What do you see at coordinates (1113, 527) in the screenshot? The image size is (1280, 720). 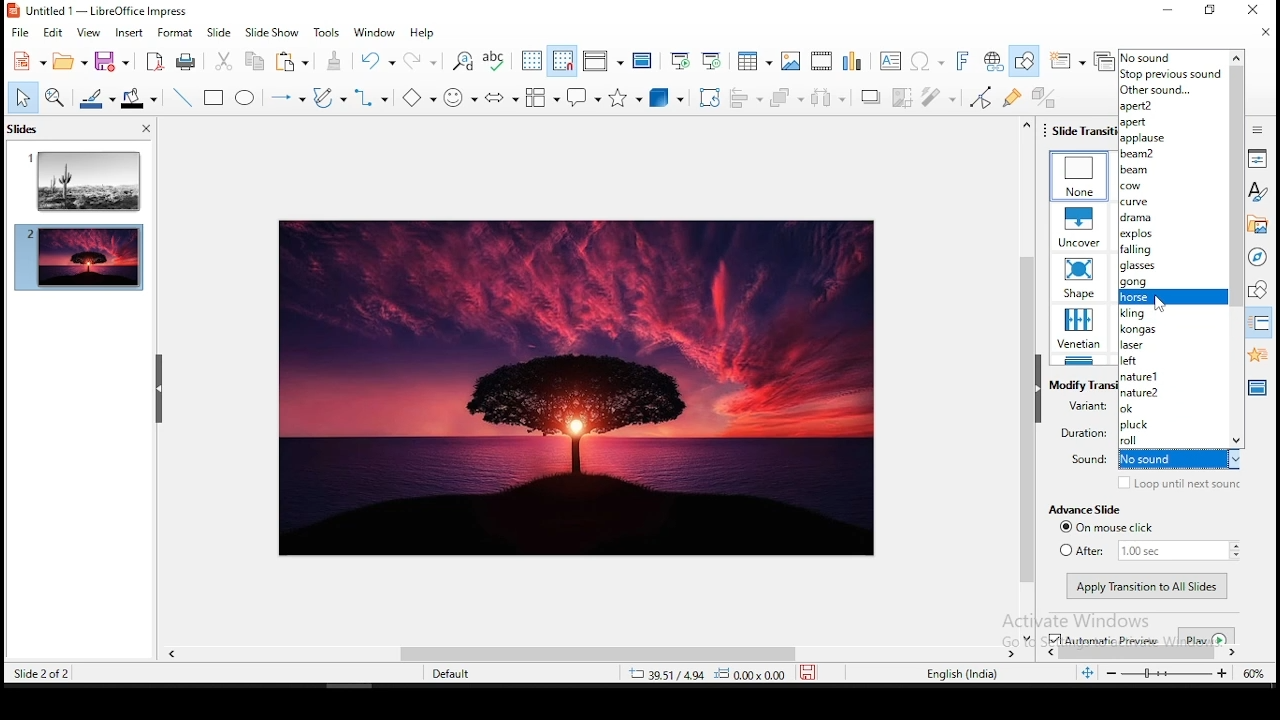 I see `on mouse click` at bounding box center [1113, 527].